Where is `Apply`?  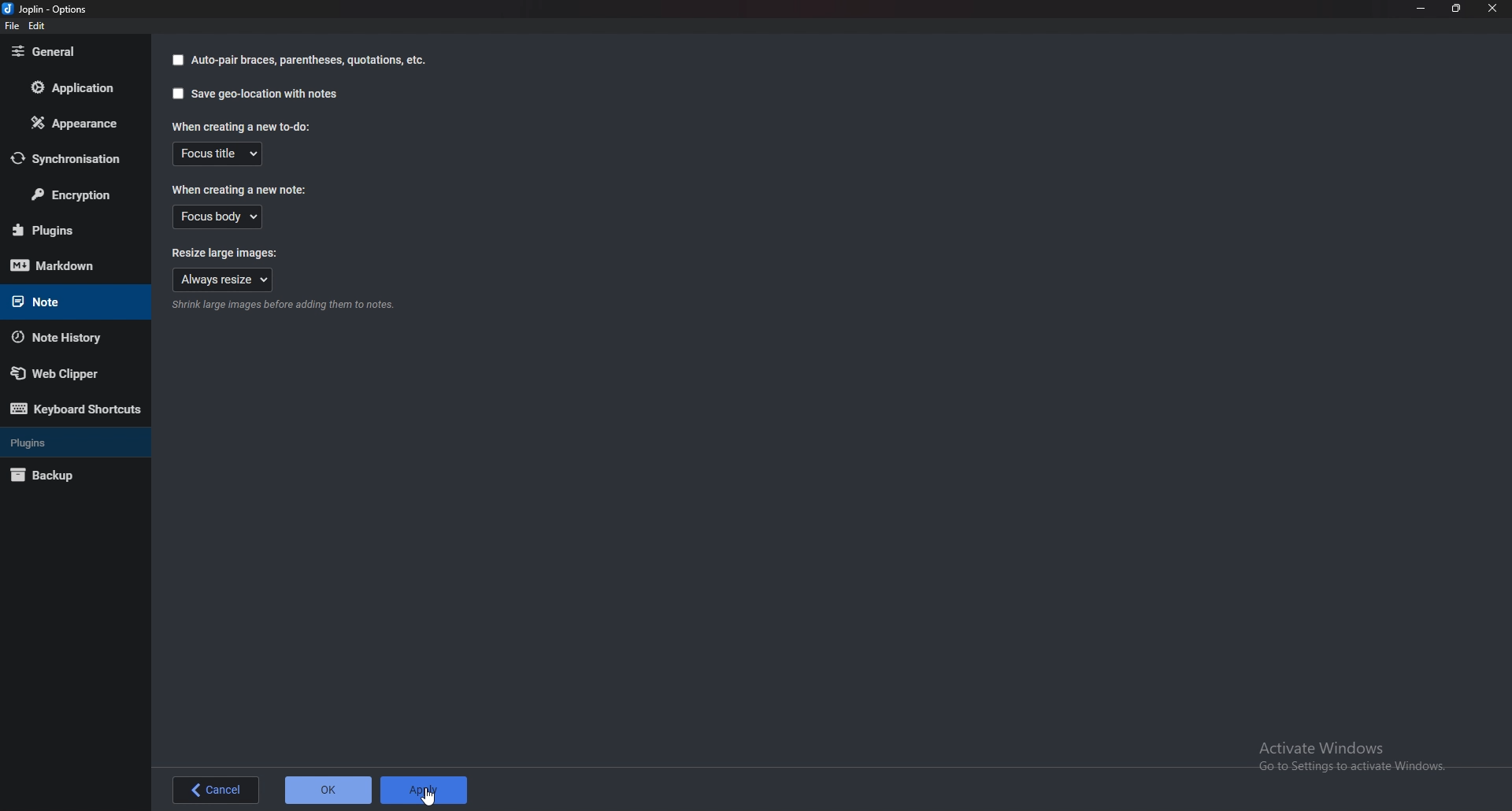
Apply is located at coordinates (428, 797).